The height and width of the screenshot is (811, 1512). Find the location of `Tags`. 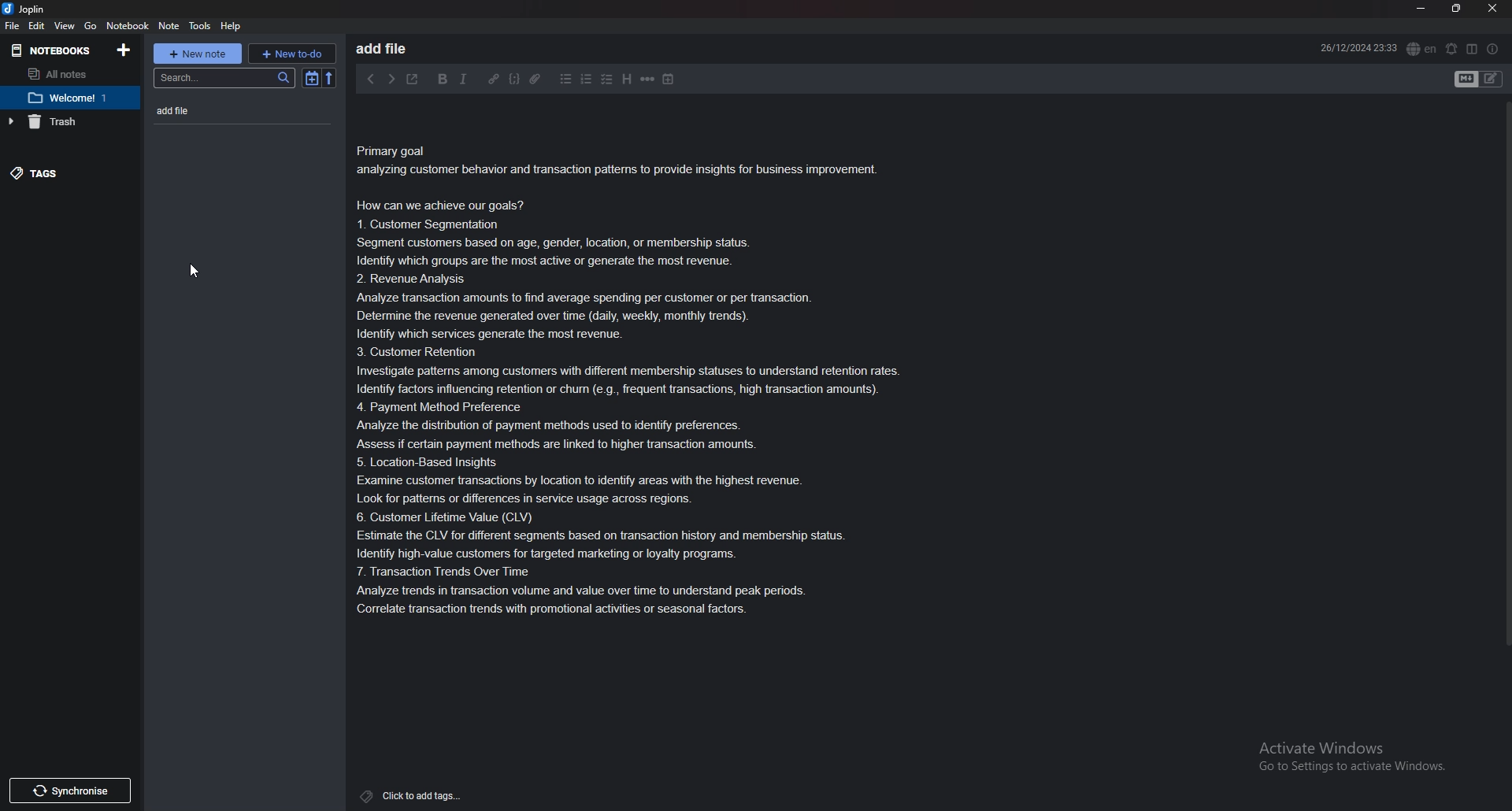

Tags is located at coordinates (57, 173).